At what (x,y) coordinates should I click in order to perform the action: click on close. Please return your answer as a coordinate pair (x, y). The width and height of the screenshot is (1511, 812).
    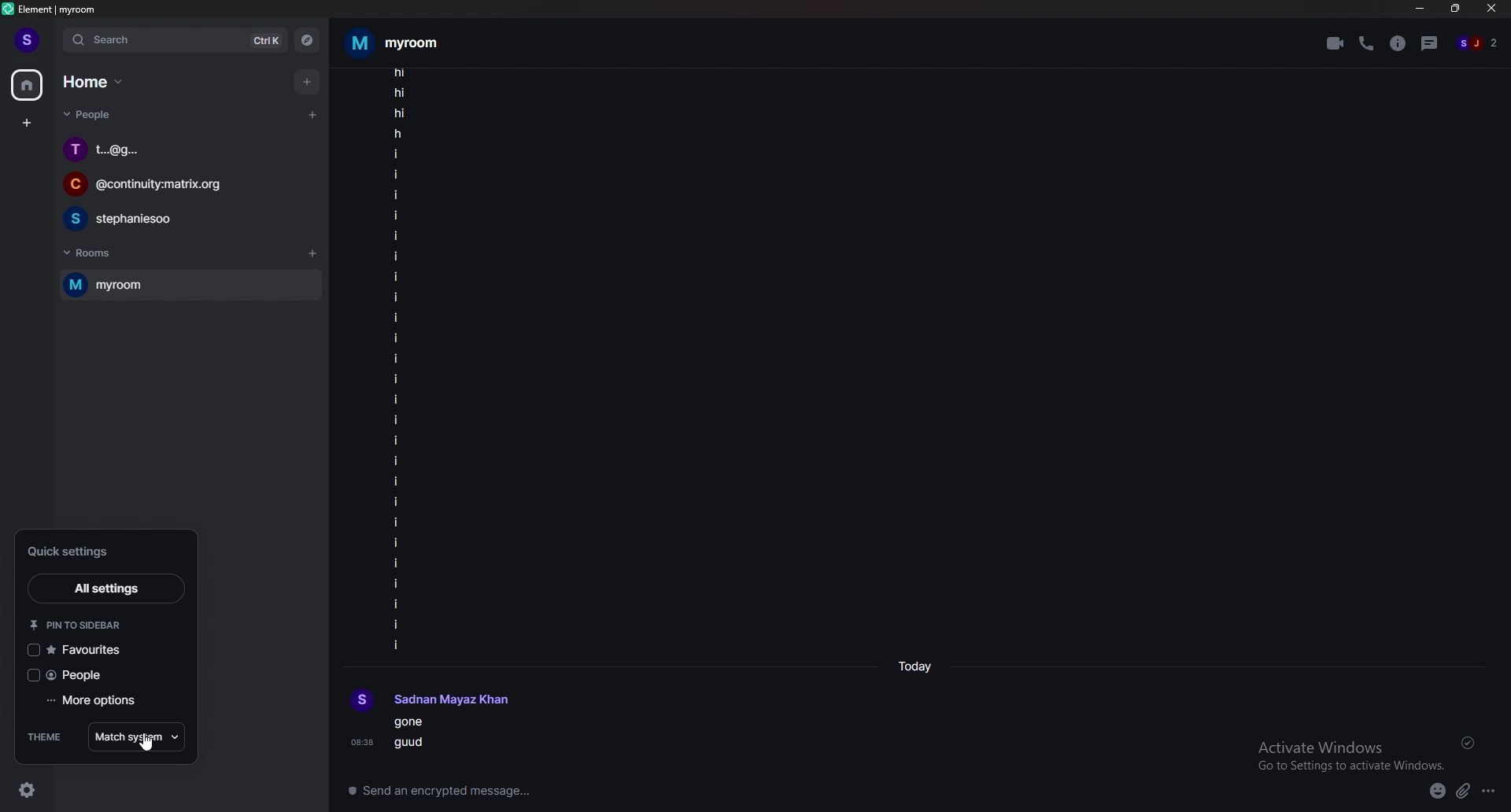
    Looking at the image, I should click on (1492, 9).